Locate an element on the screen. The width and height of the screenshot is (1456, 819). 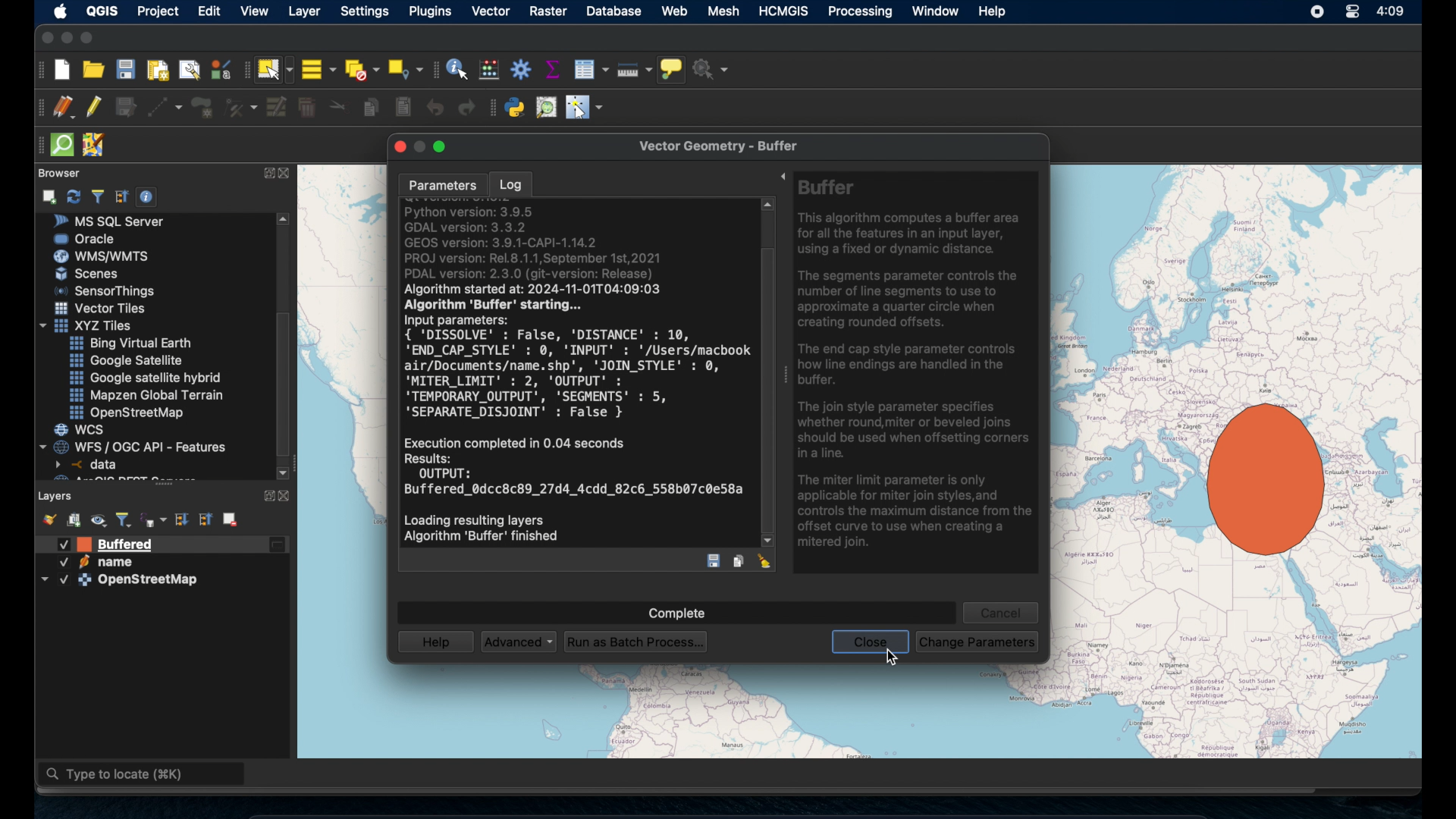
filter legend by expression is located at coordinates (154, 519).